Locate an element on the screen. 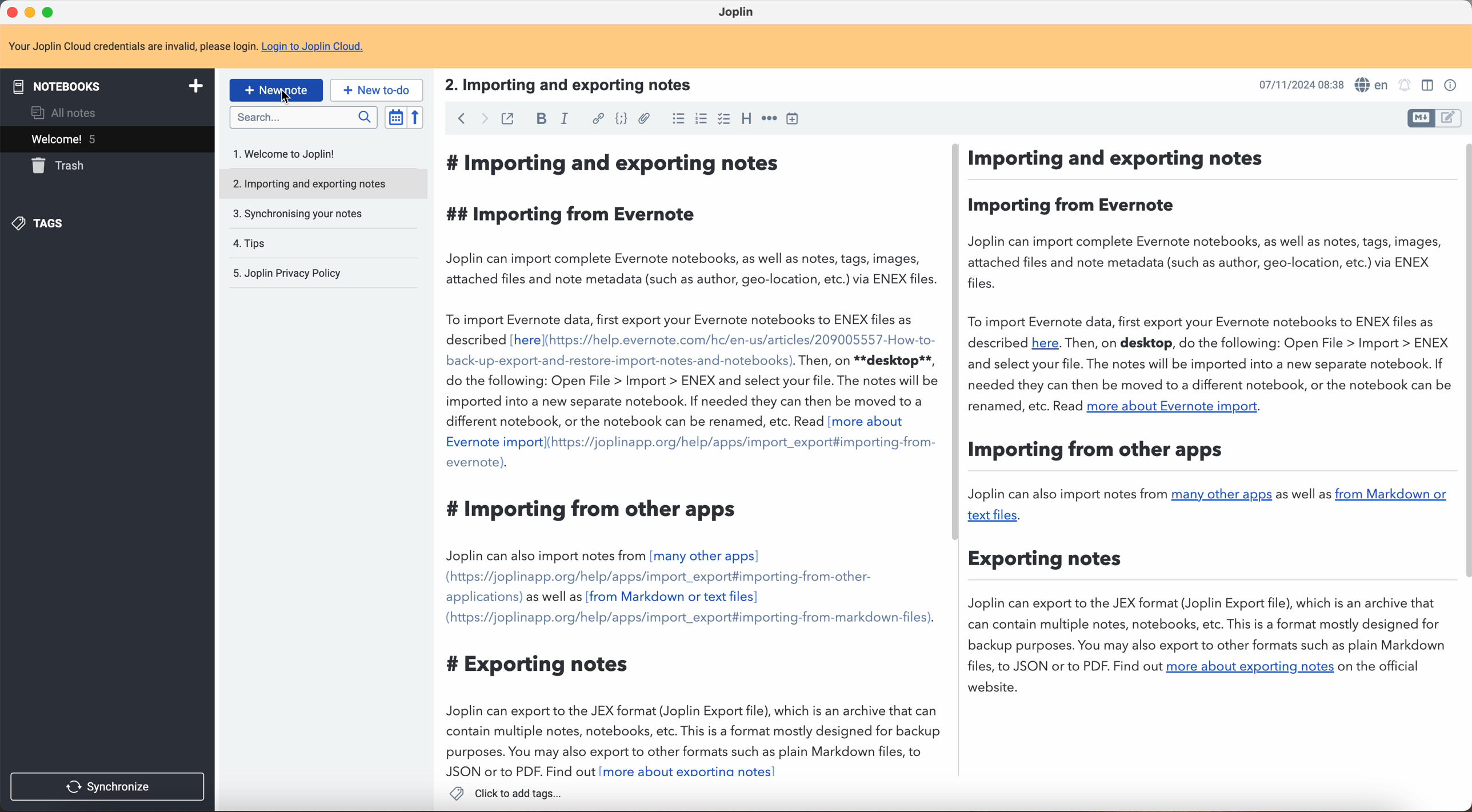 The height and width of the screenshot is (812, 1472). importing and exporting notes is located at coordinates (309, 183).